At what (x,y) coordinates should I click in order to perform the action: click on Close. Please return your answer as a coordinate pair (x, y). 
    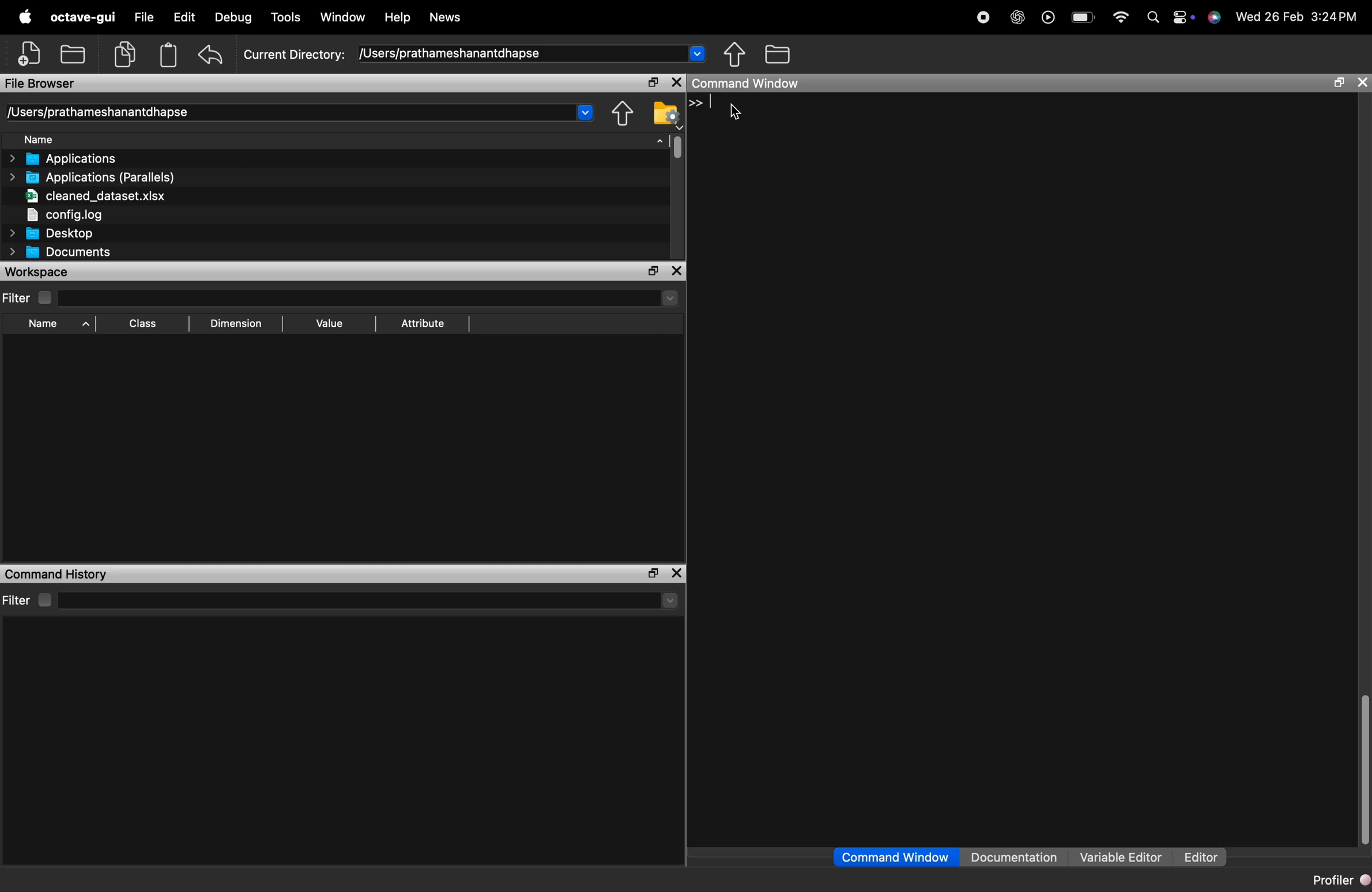
    Looking at the image, I should click on (675, 82).